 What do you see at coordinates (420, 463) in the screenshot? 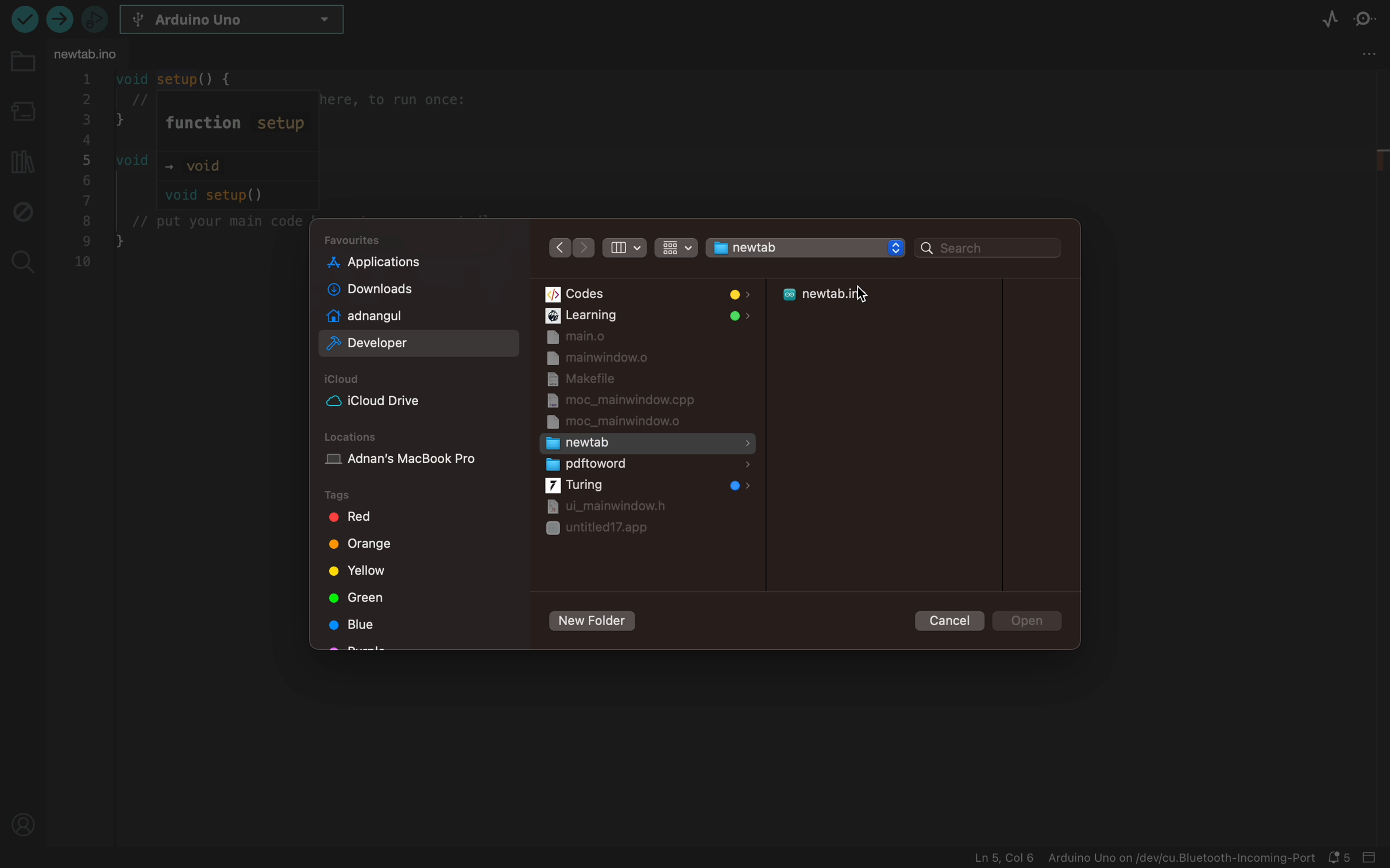
I see `adnan's mackbook pro` at bounding box center [420, 463].